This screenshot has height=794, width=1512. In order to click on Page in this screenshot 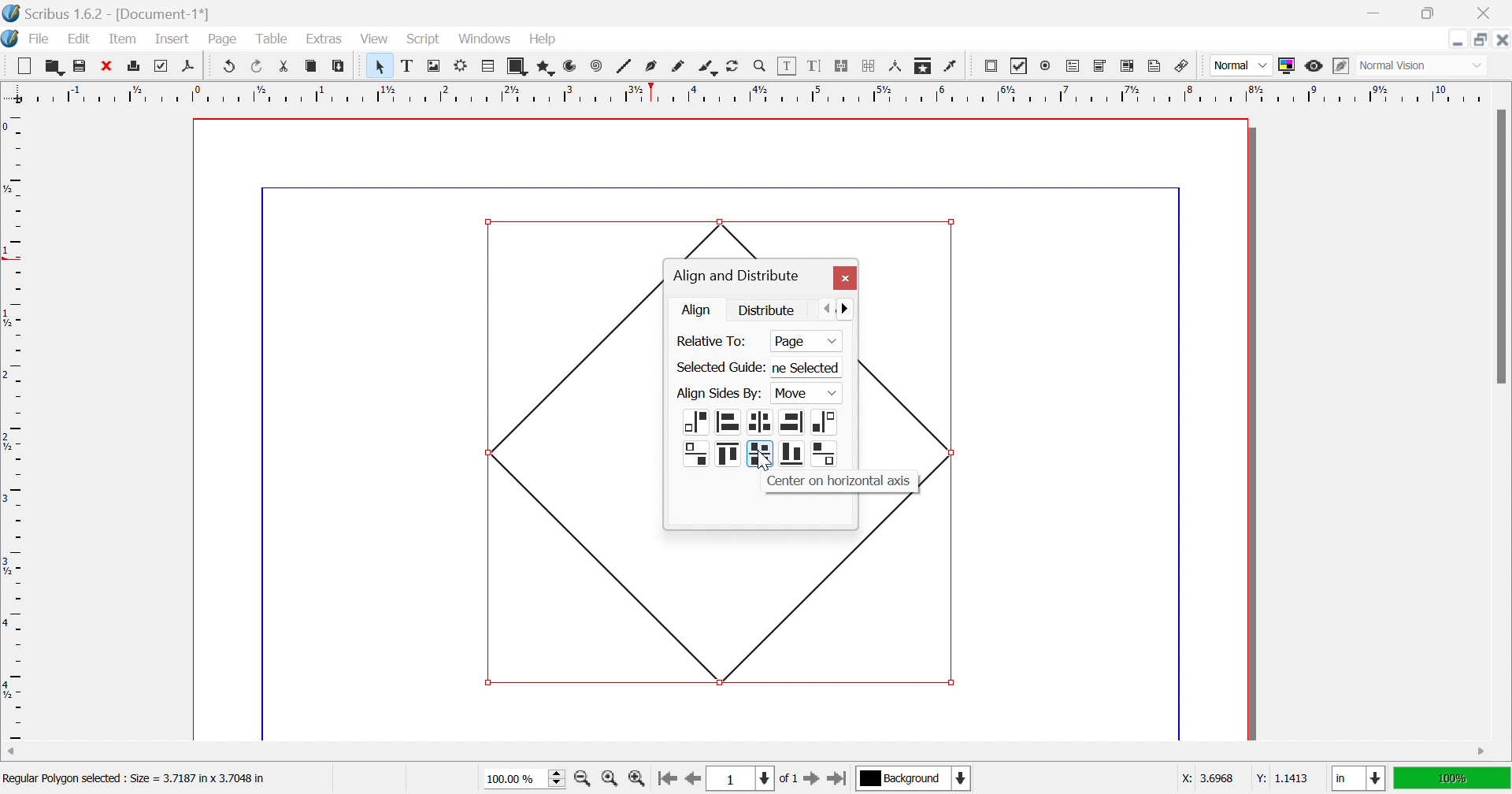, I will do `click(806, 342)`.